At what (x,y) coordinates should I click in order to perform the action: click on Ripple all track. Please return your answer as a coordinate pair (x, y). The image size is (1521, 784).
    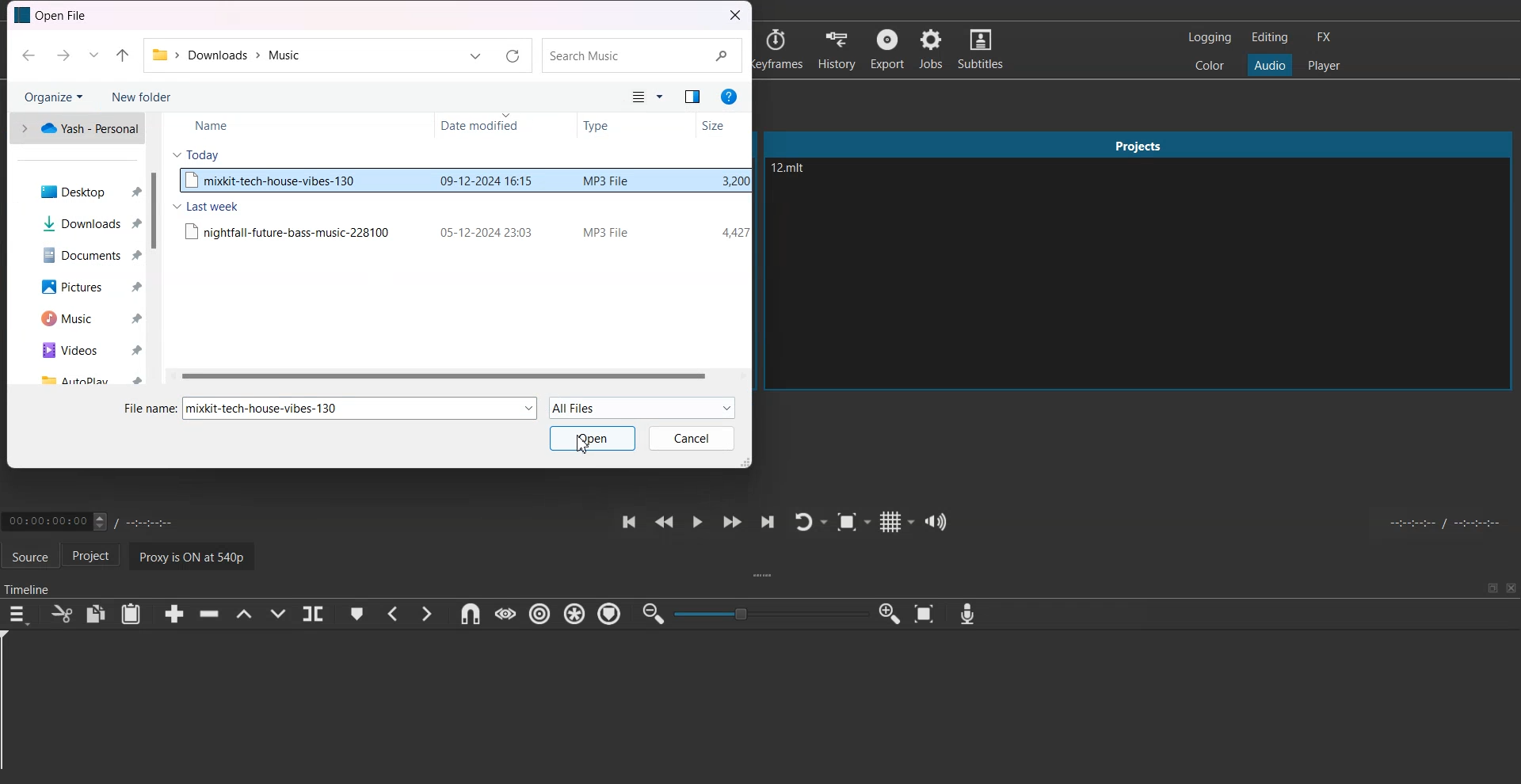
    Looking at the image, I should click on (574, 613).